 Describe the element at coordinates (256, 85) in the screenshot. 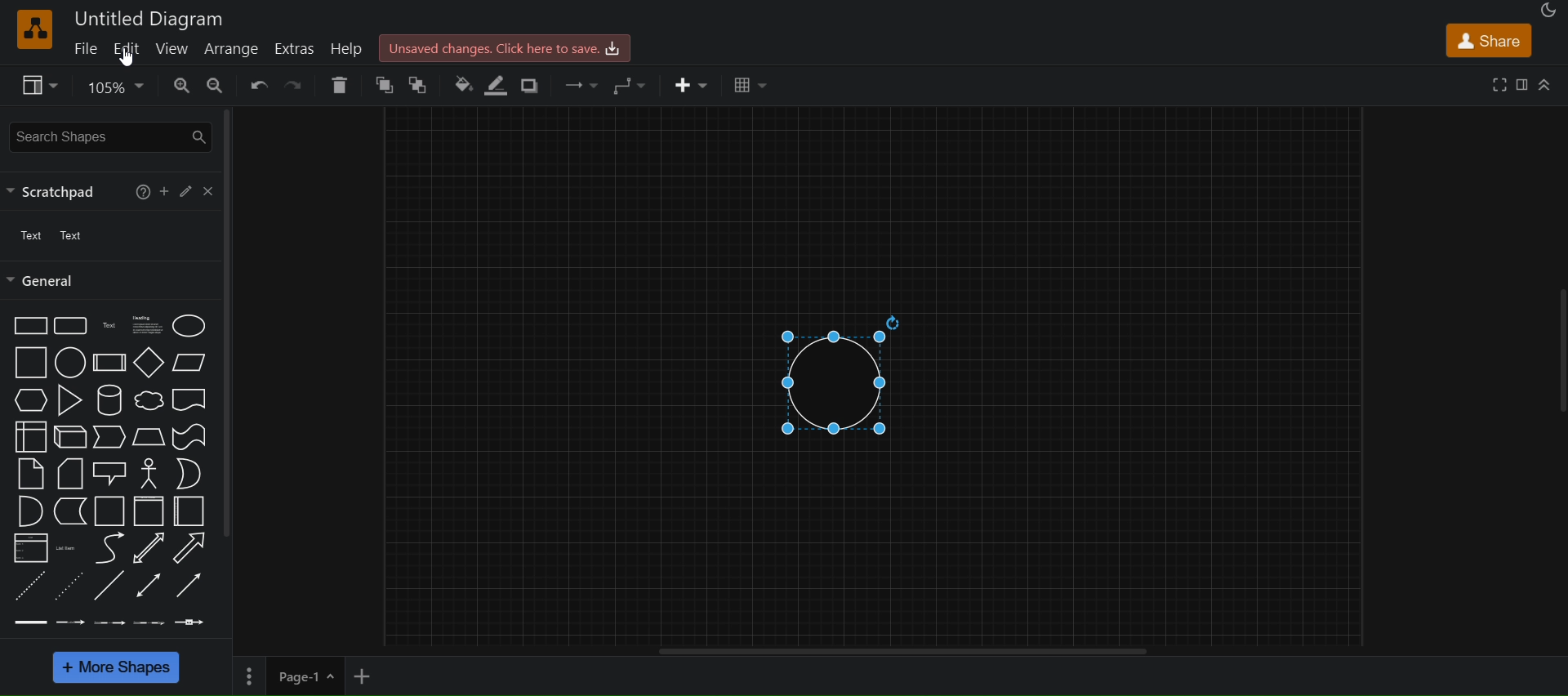

I see `undo` at that location.